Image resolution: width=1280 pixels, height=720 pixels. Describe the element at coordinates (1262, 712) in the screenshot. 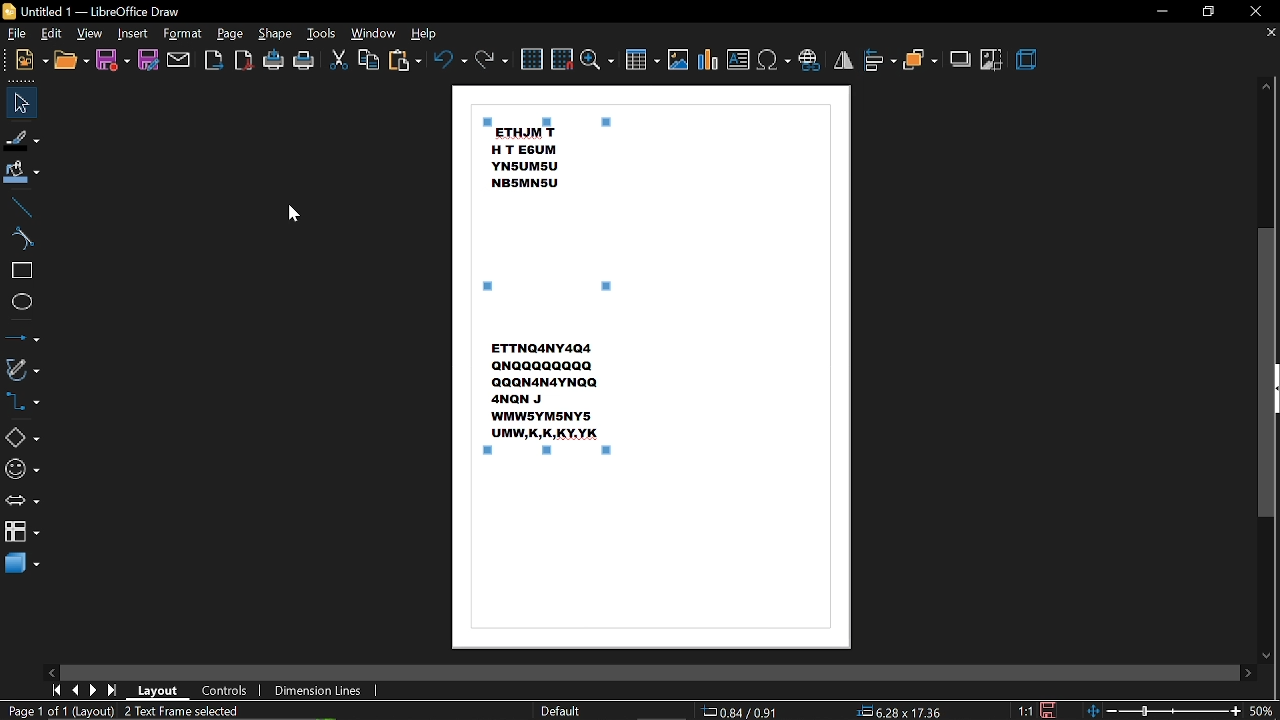

I see `50%` at that location.